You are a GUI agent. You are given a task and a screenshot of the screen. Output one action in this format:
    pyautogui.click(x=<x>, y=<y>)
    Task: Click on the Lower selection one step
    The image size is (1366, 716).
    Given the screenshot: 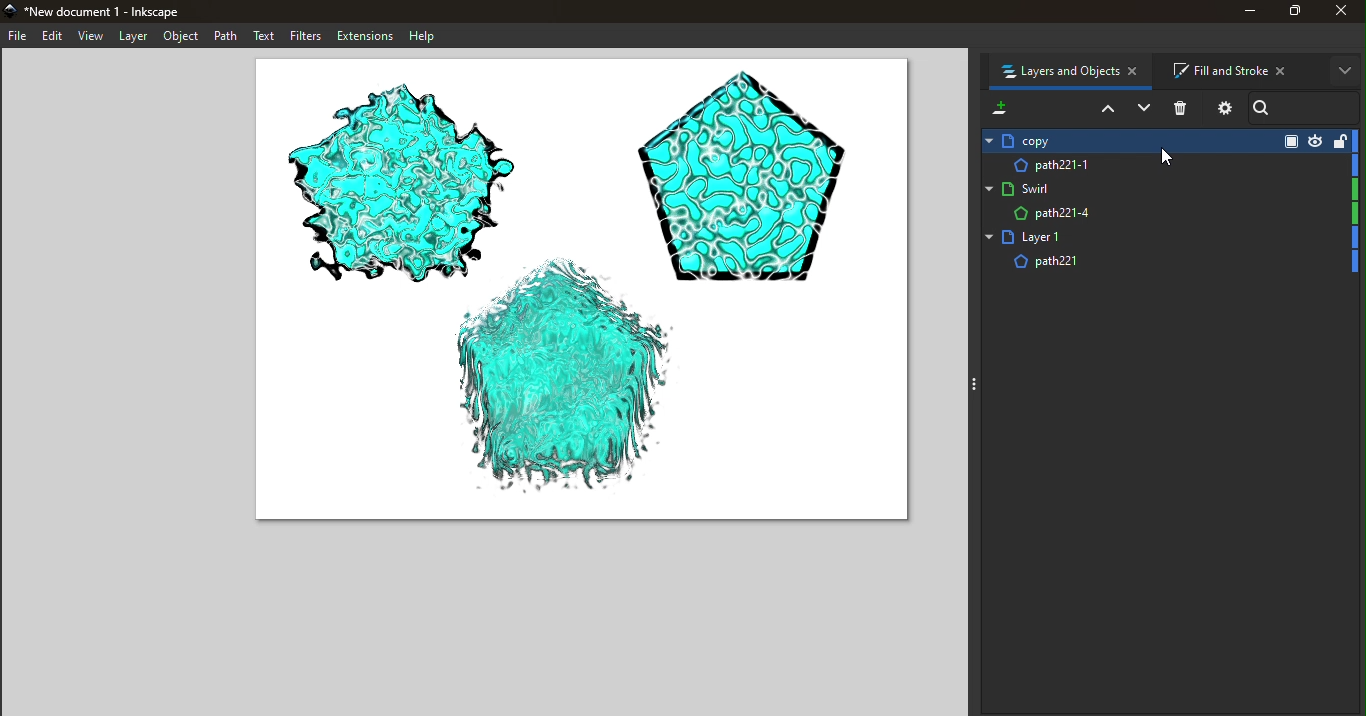 What is the action you would take?
    pyautogui.click(x=1143, y=109)
    